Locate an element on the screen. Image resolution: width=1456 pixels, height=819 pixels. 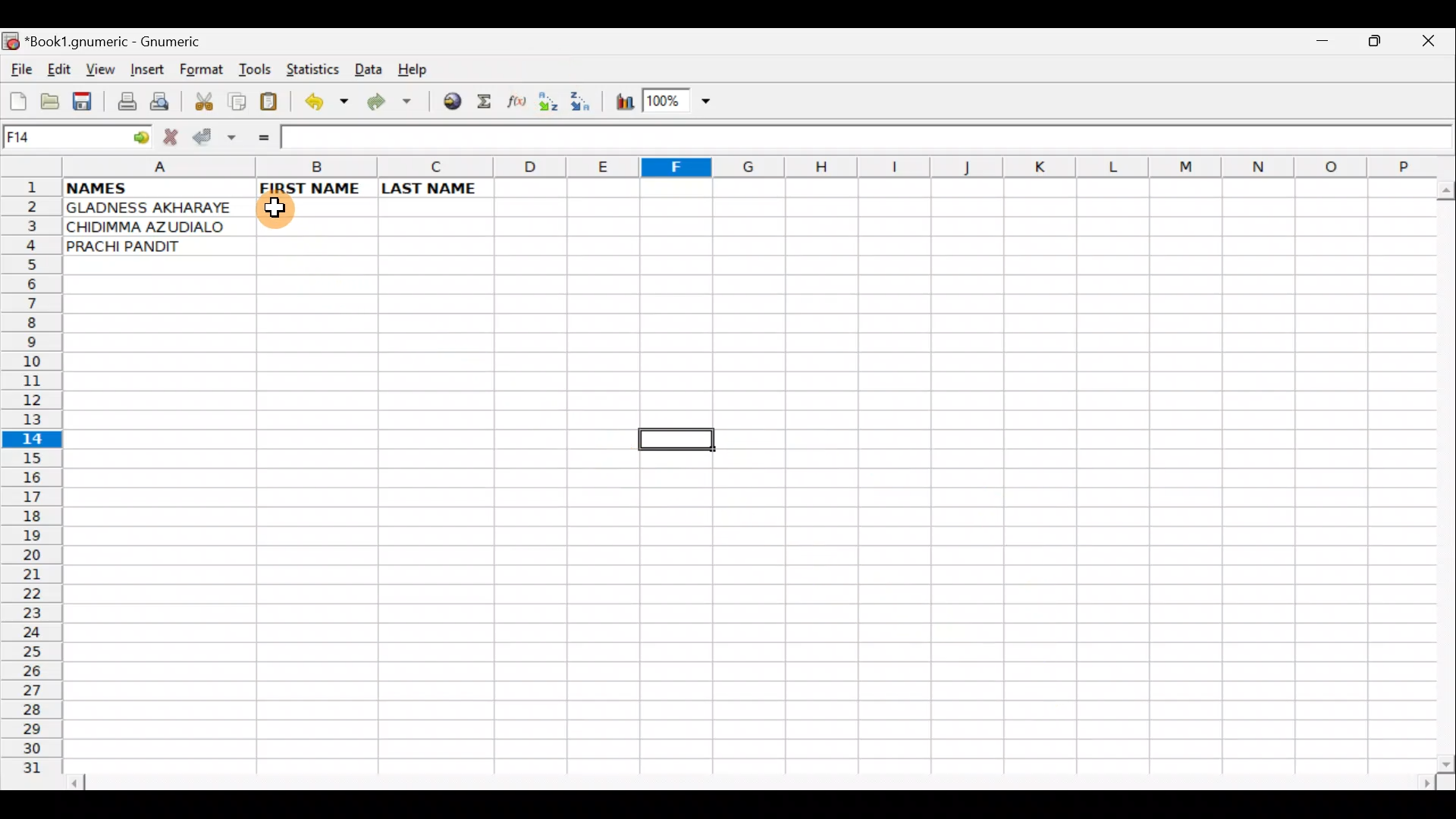
Insert Chart is located at coordinates (620, 104).